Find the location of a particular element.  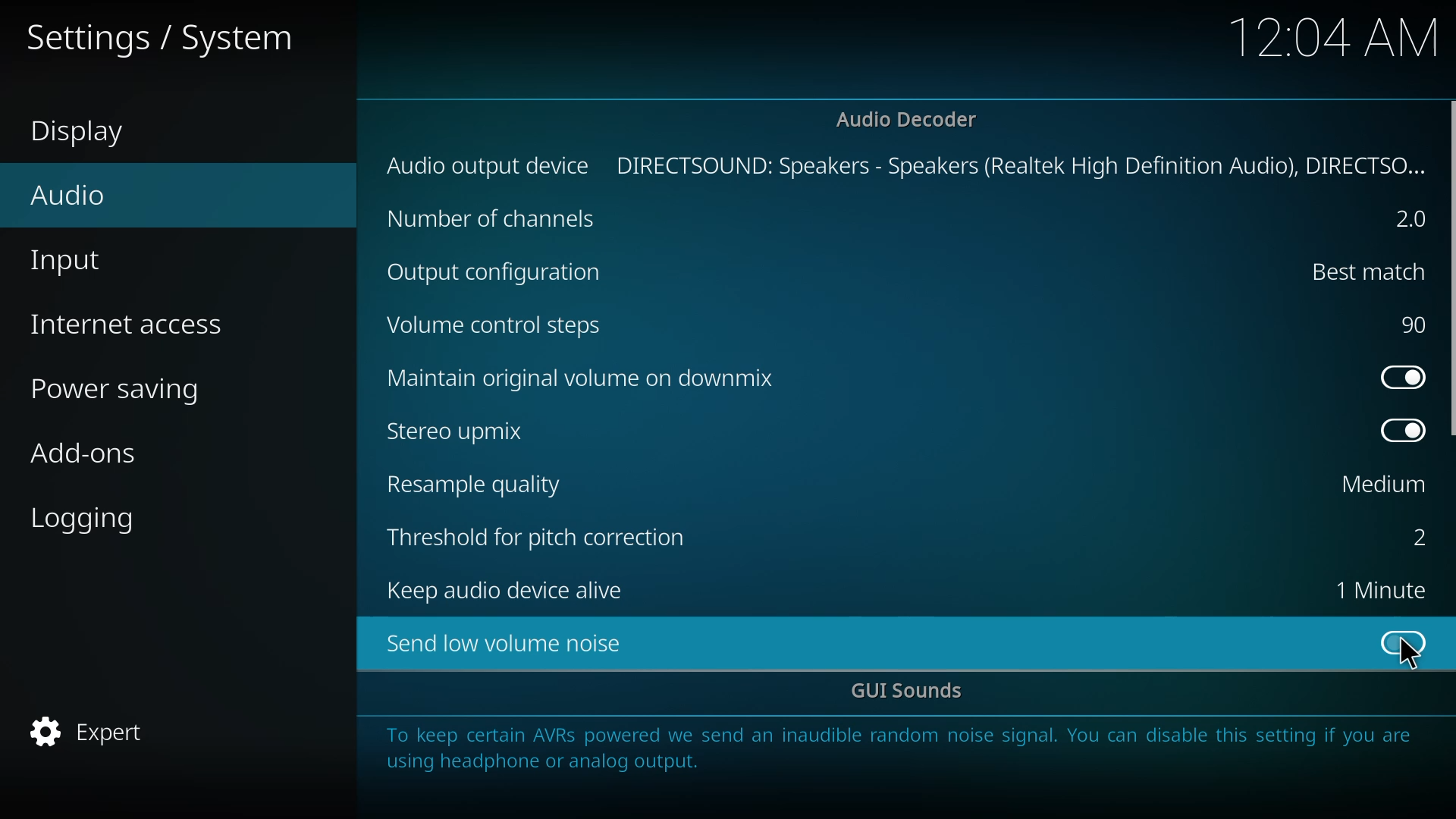

send low volume noise is located at coordinates (505, 643).